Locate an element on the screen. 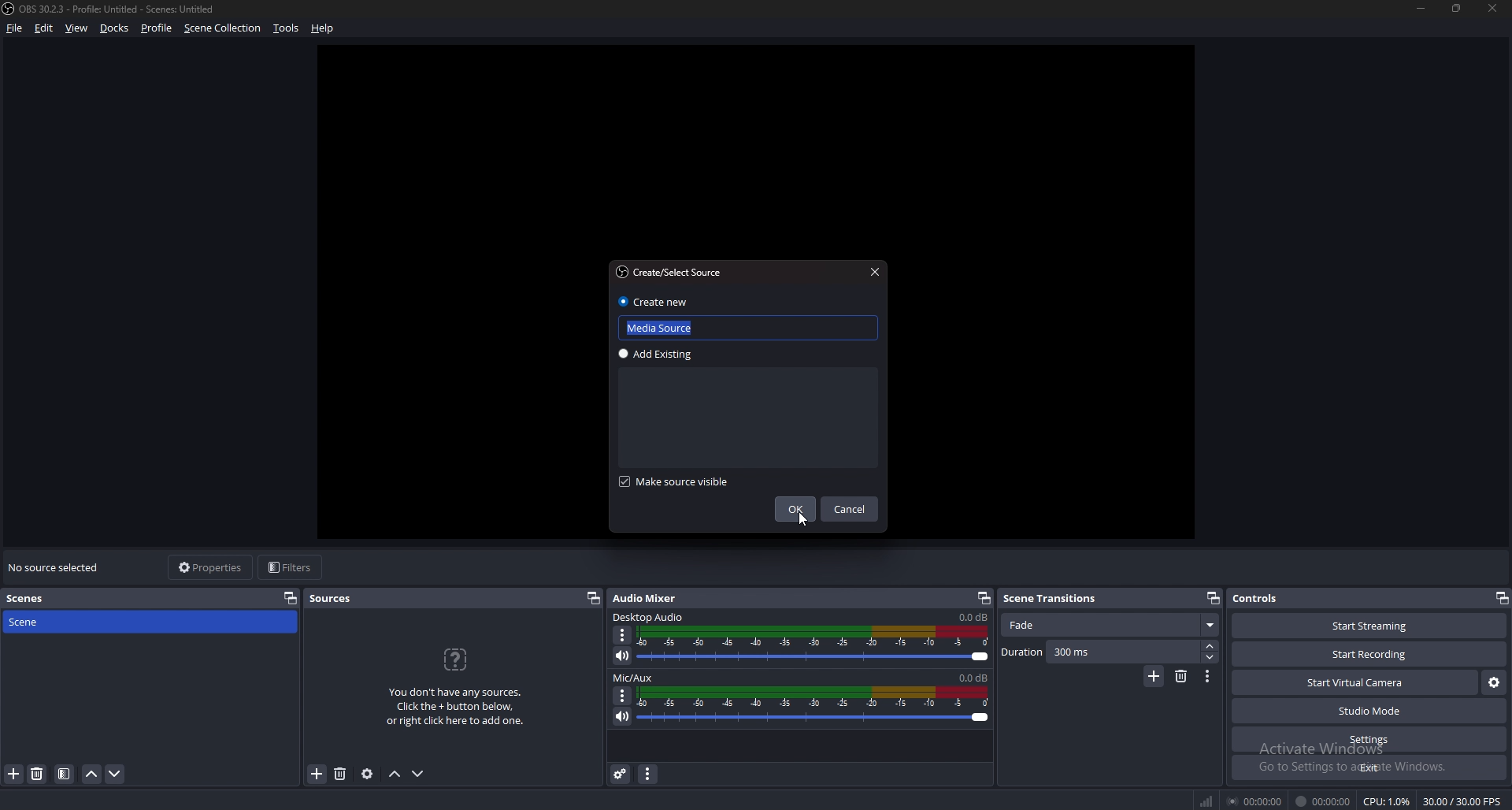 Image resolution: width=1512 pixels, height=810 pixels. pop out is located at coordinates (287, 597).